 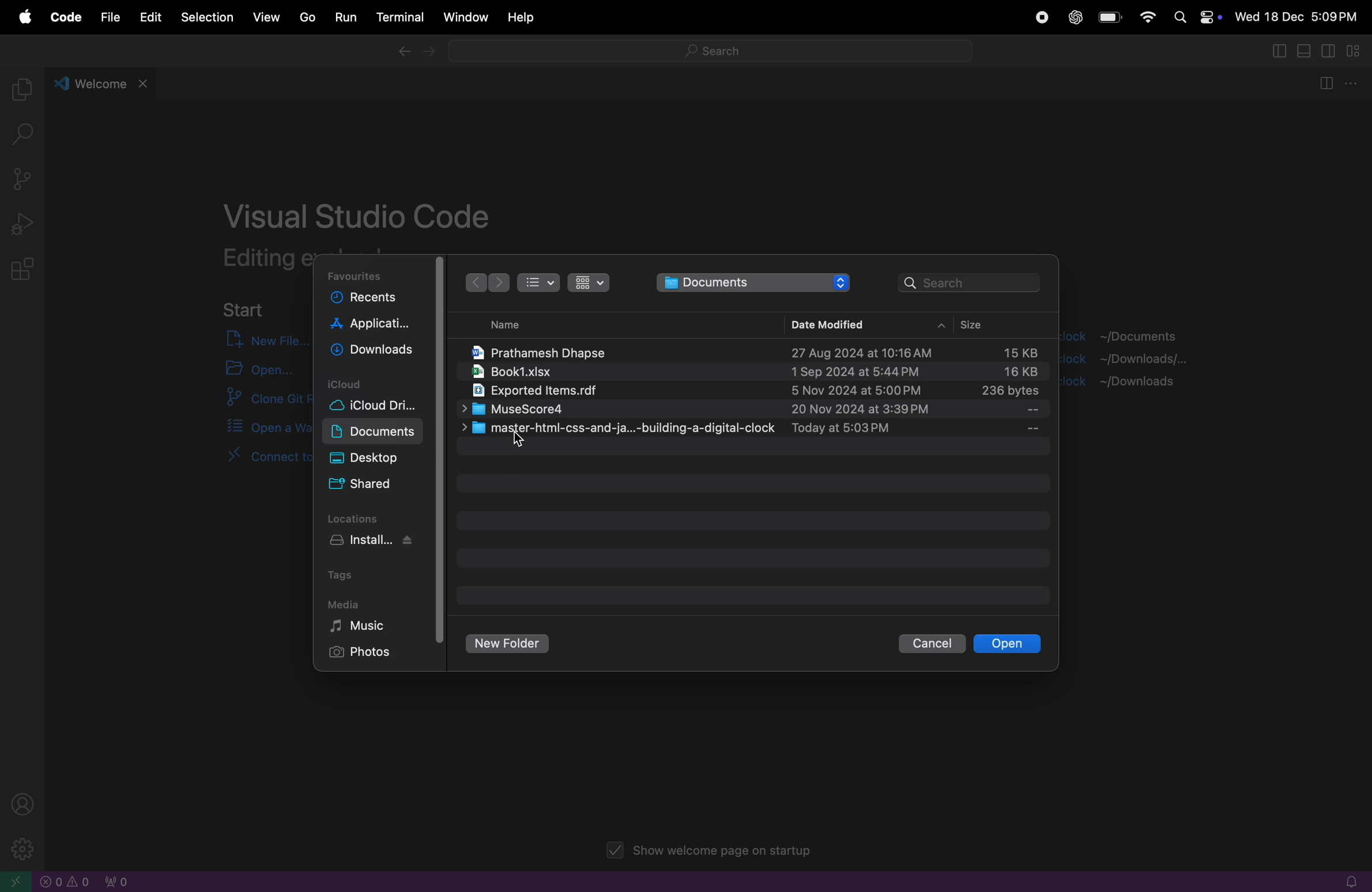 I want to click on size, so click(x=988, y=326).